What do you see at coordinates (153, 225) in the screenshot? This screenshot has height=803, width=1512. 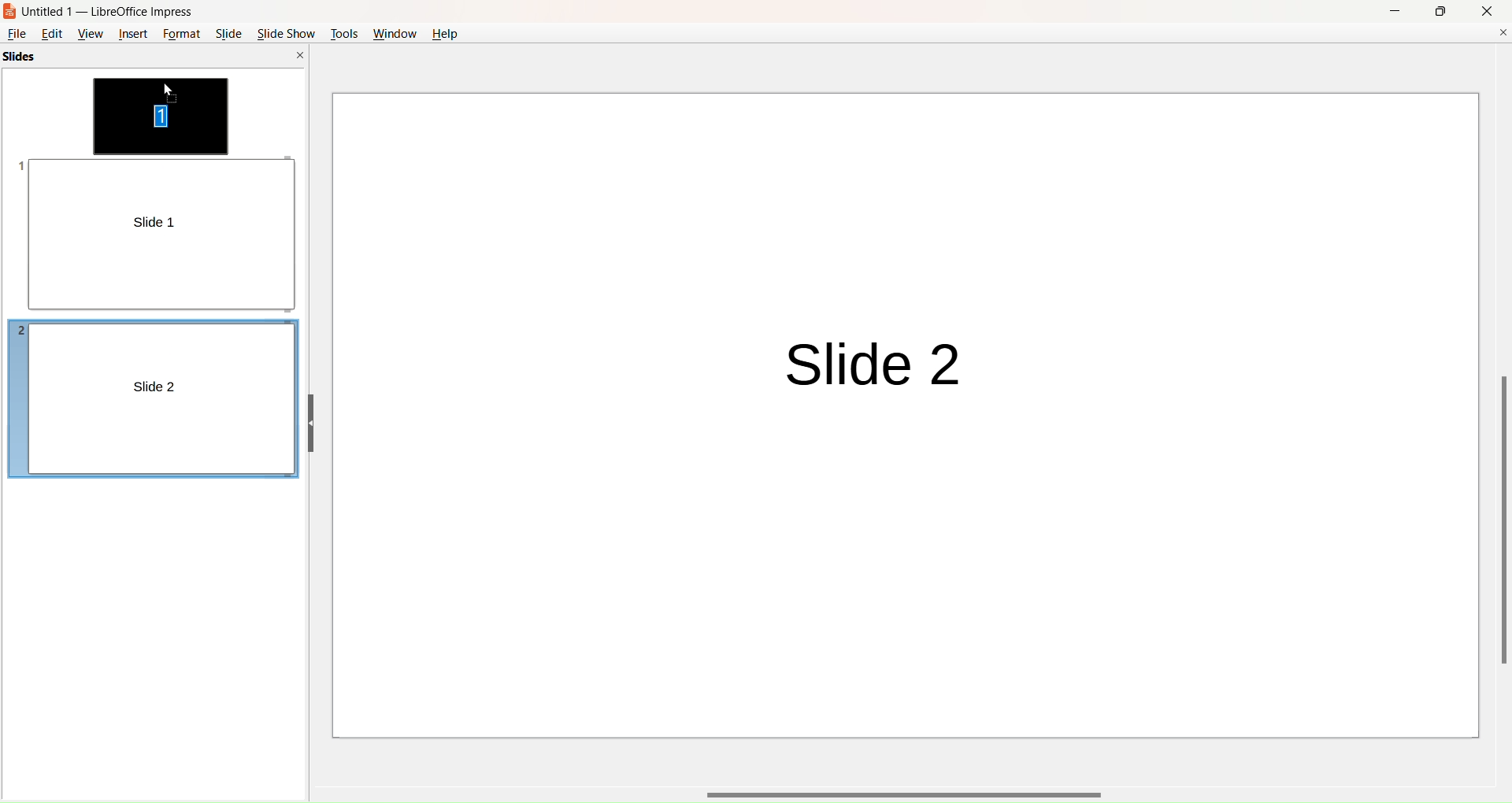 I see `slide 1` at bounding box center [153, 225].